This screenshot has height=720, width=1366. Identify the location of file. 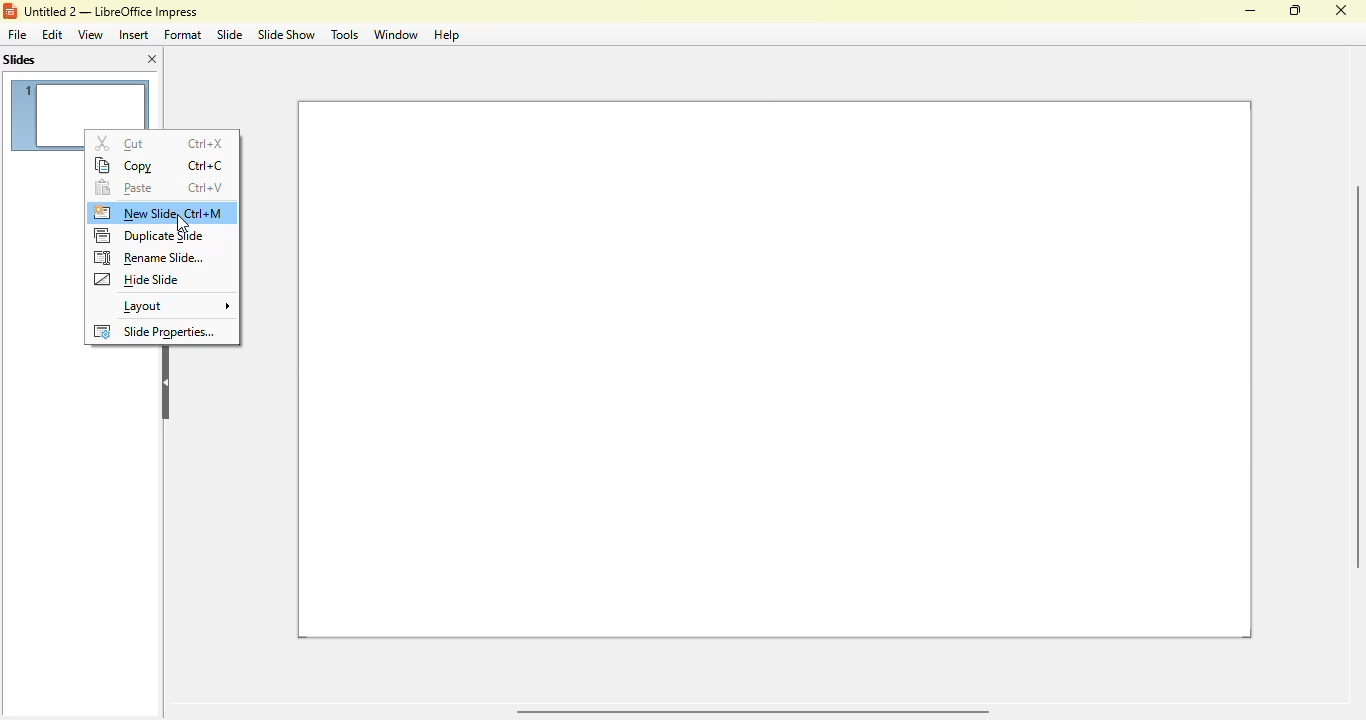
(16, 34).